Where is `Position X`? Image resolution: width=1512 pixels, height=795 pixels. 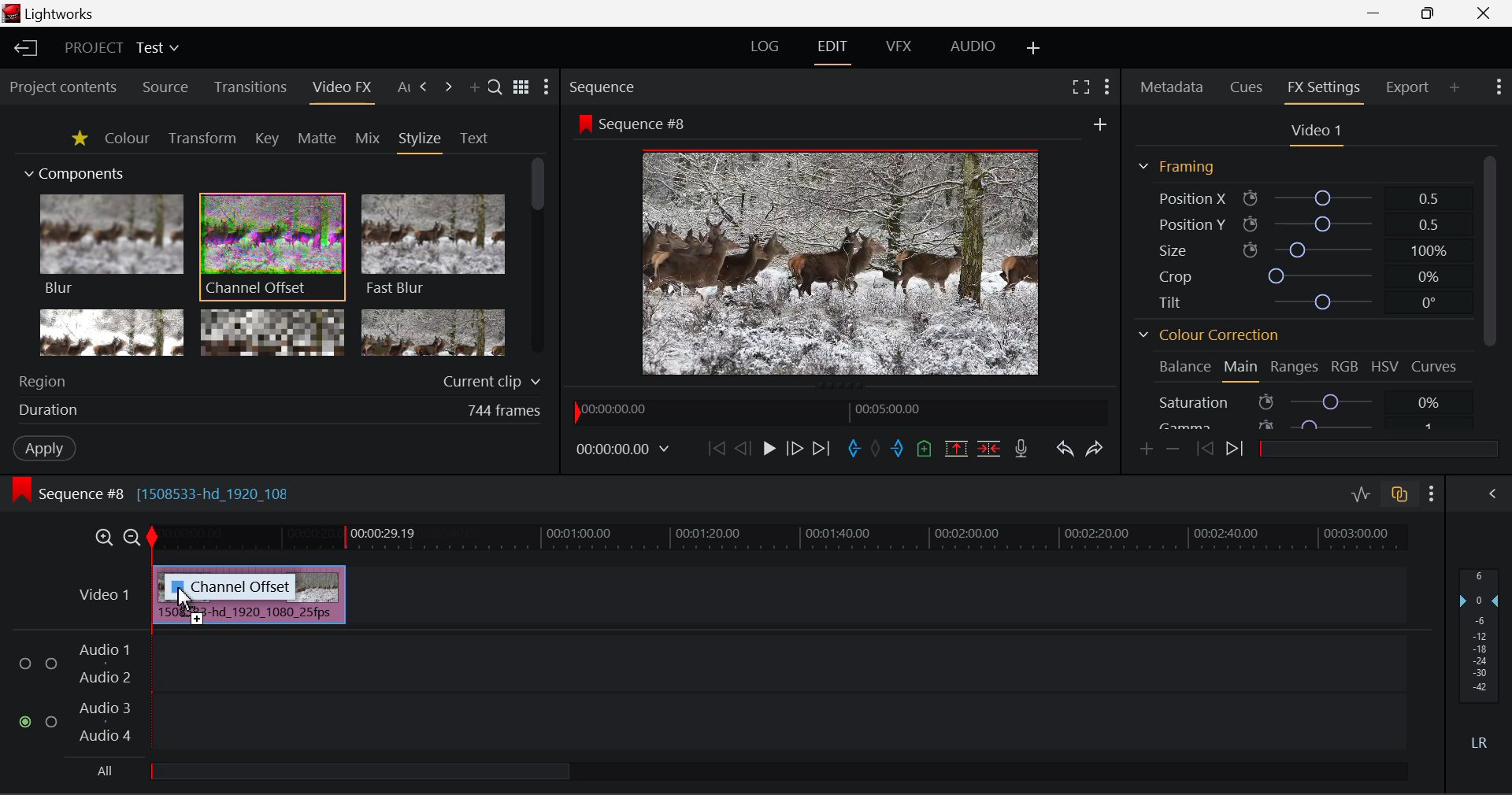 Position X is located at coordinates (1303, 198).